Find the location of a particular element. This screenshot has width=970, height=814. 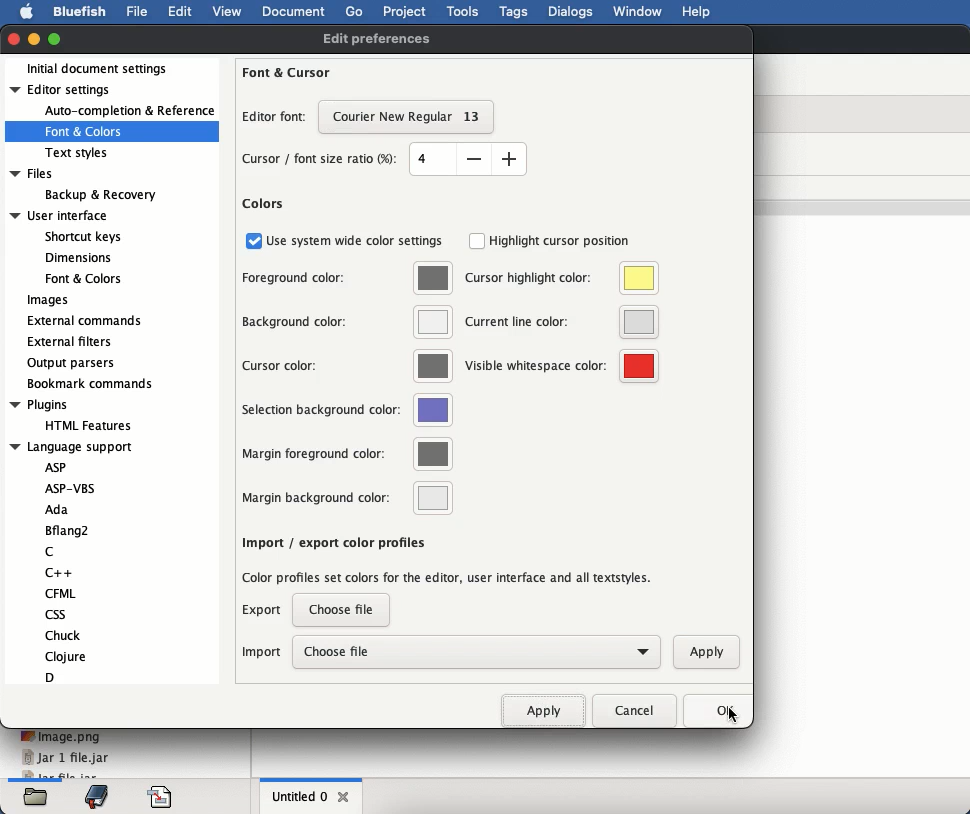

external filters  is located at coordinates (70, 342).